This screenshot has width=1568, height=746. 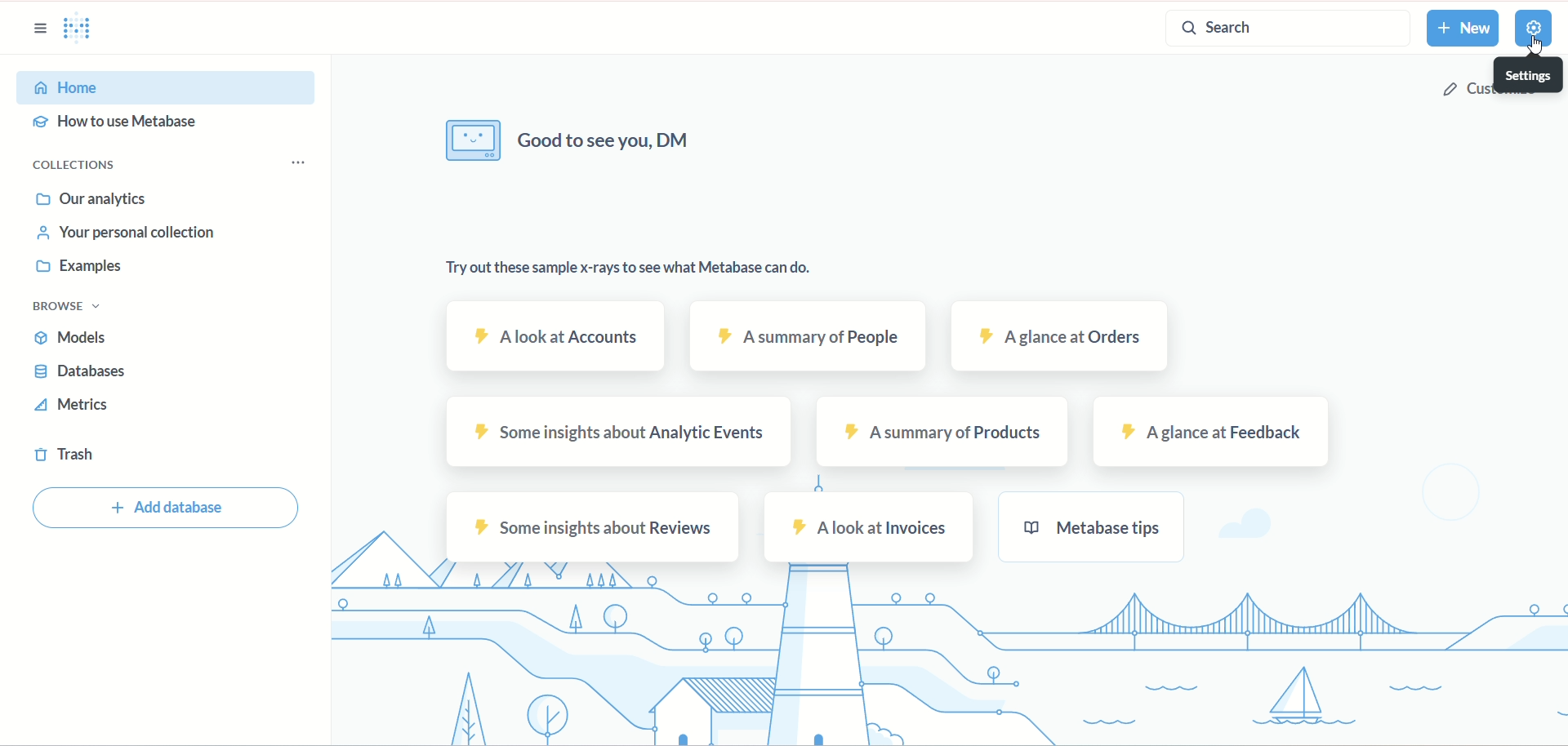 I want to click on metrics, so click(x=79, y=405).